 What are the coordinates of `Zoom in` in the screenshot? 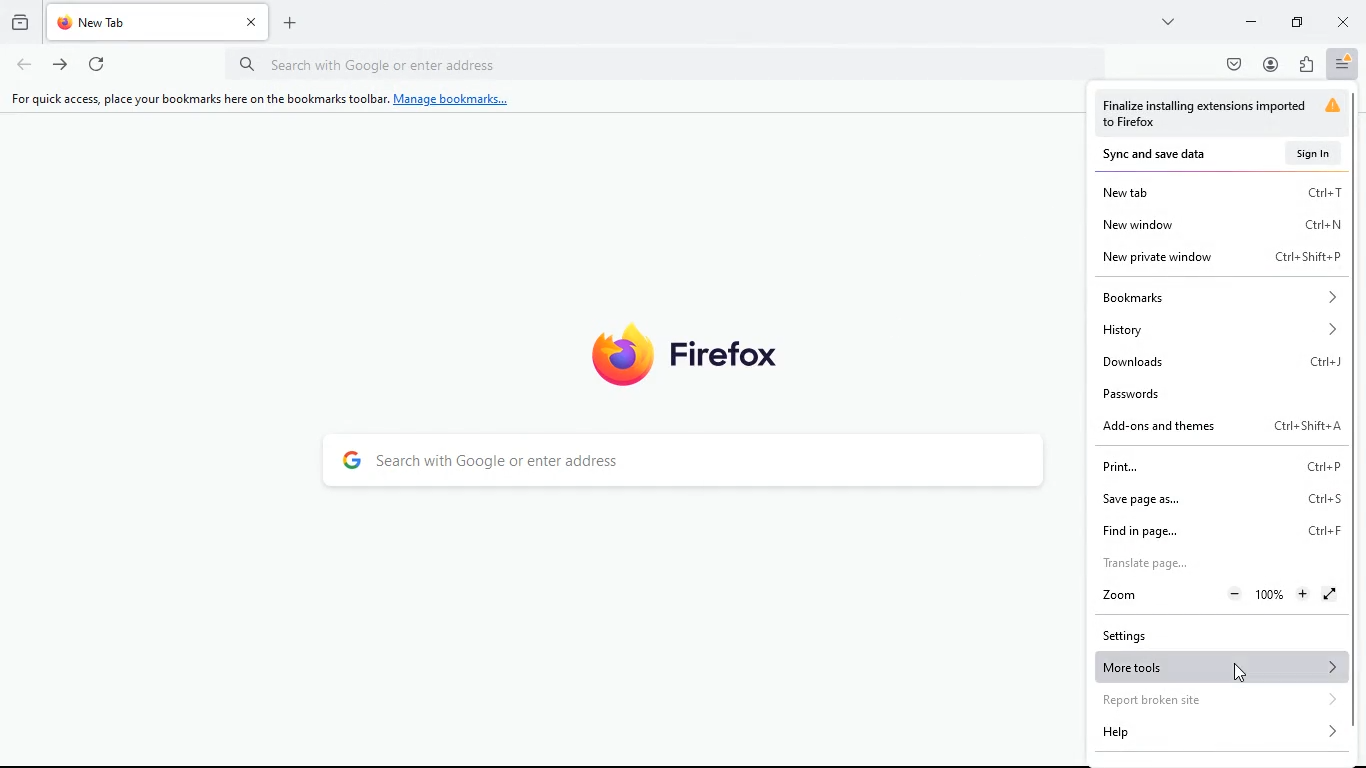 It's located at (1304, 593).